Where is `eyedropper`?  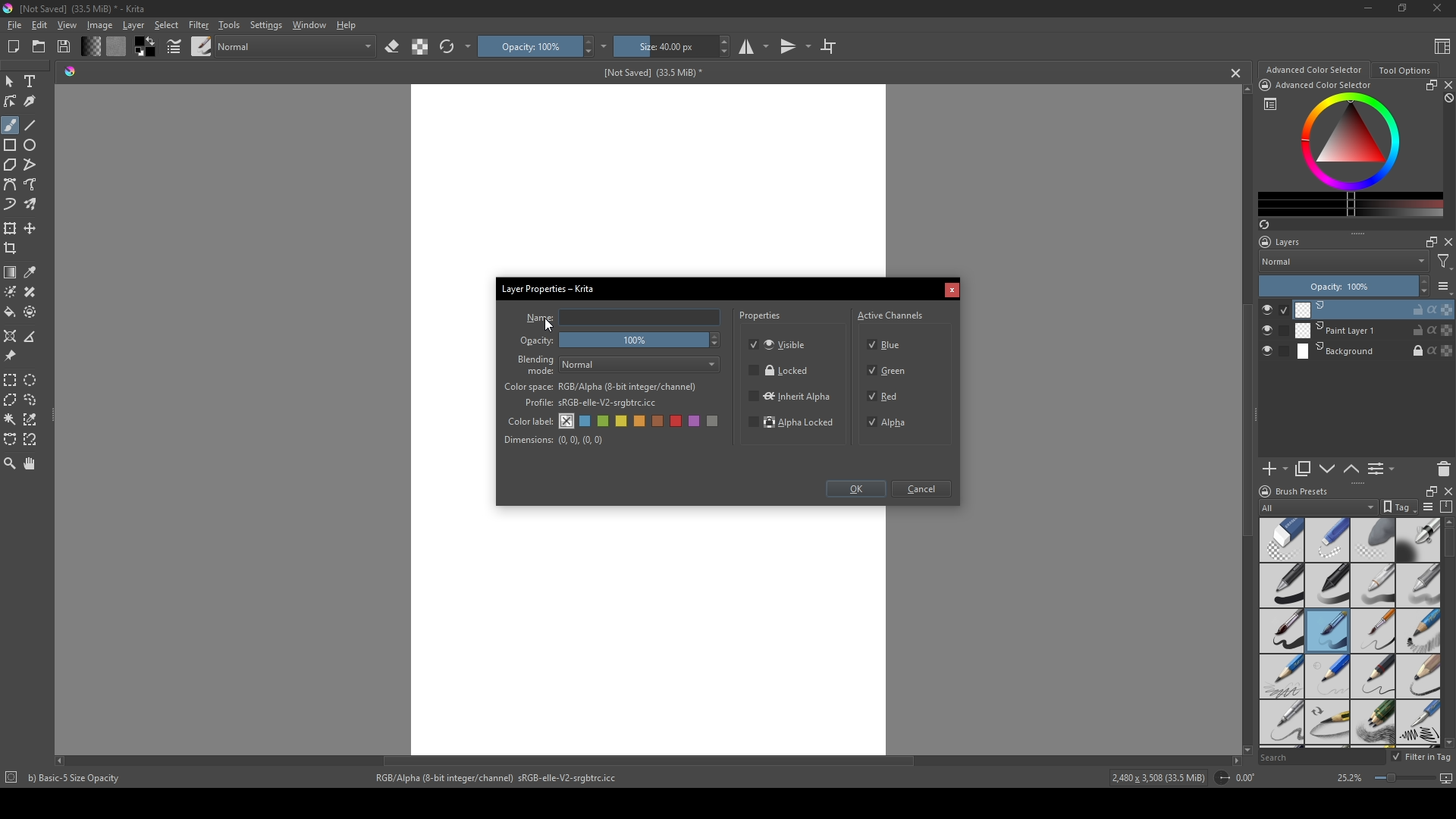
eyedropper is located at coordinates (32, 272).